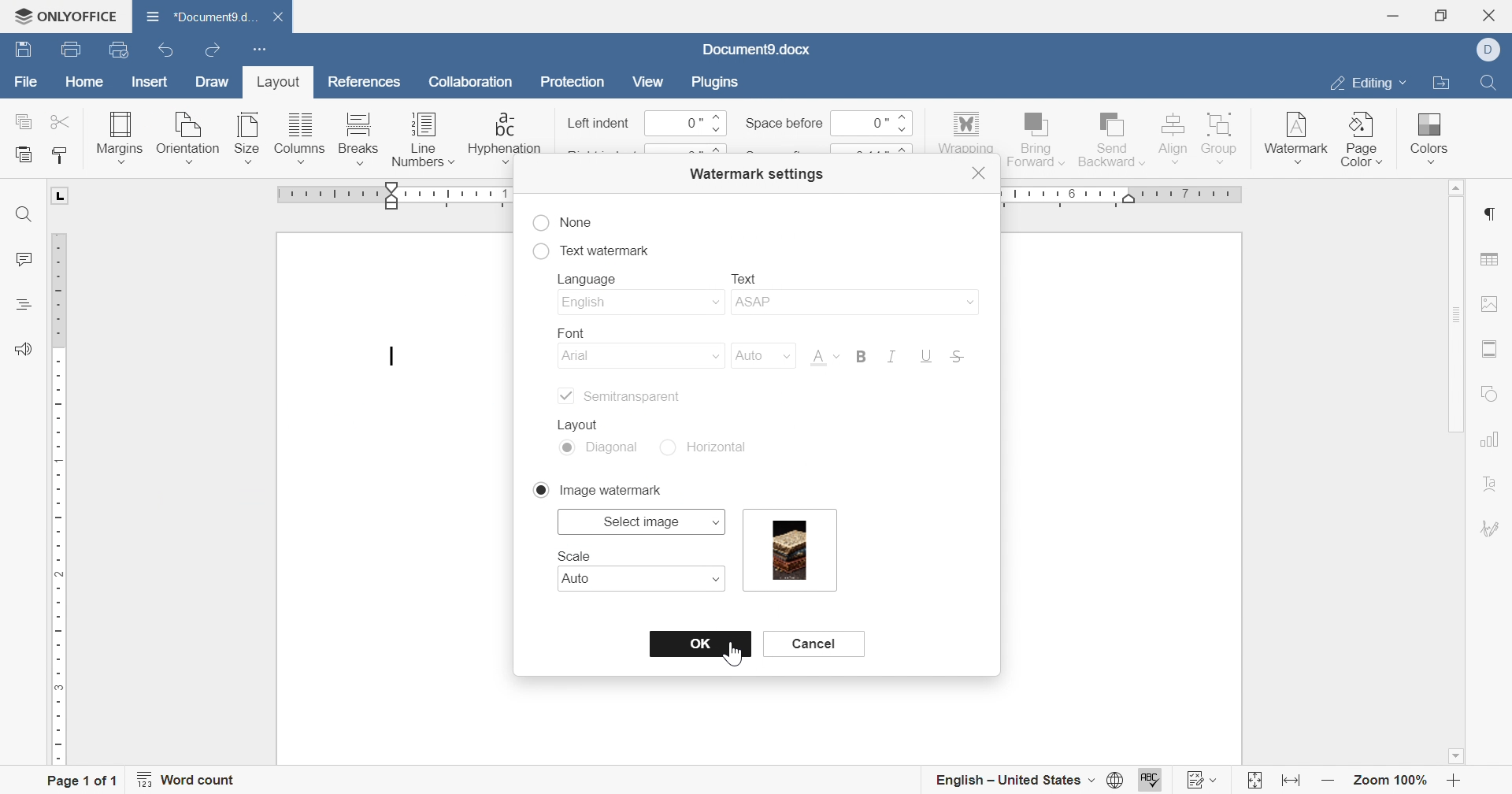  What do you see at coordinates (300, 139) in the screenshot?
I see `columns` at bounding box center [300, 139].